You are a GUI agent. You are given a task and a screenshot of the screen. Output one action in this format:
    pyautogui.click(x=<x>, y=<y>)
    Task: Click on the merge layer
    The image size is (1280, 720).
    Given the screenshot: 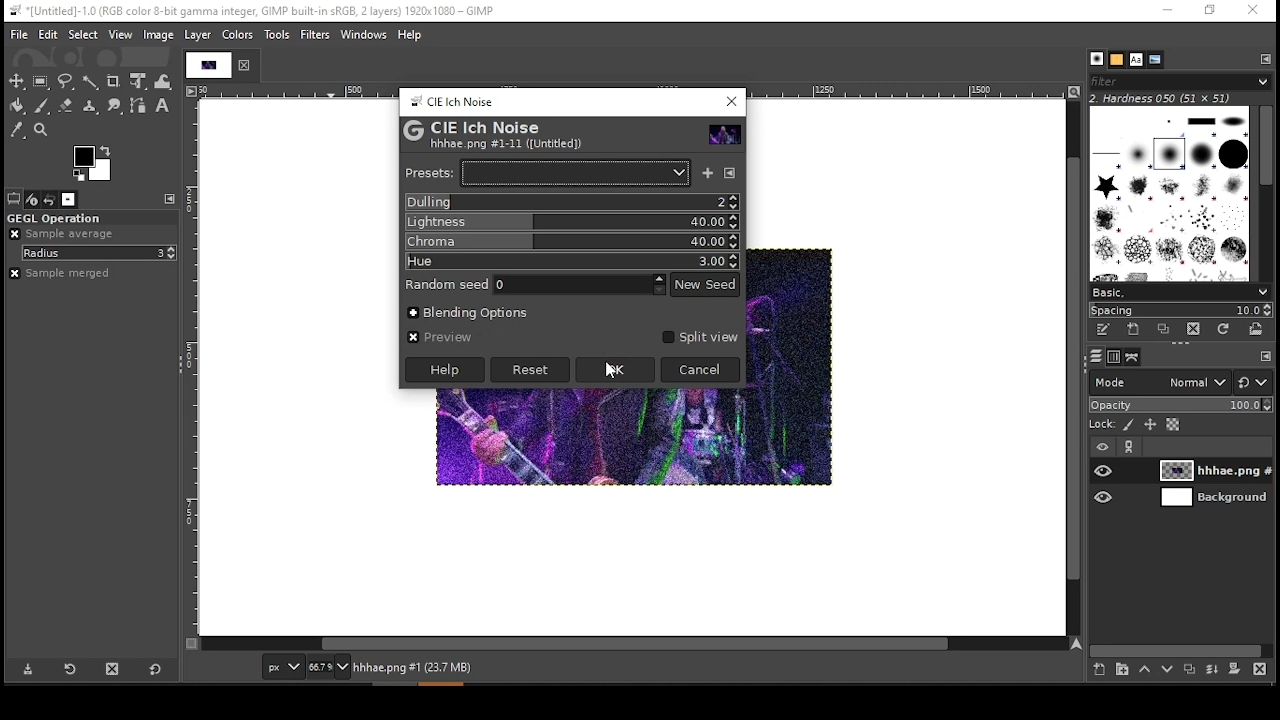 What is the action you would take?
    pyautogui.click(x=1212, y=670)
    